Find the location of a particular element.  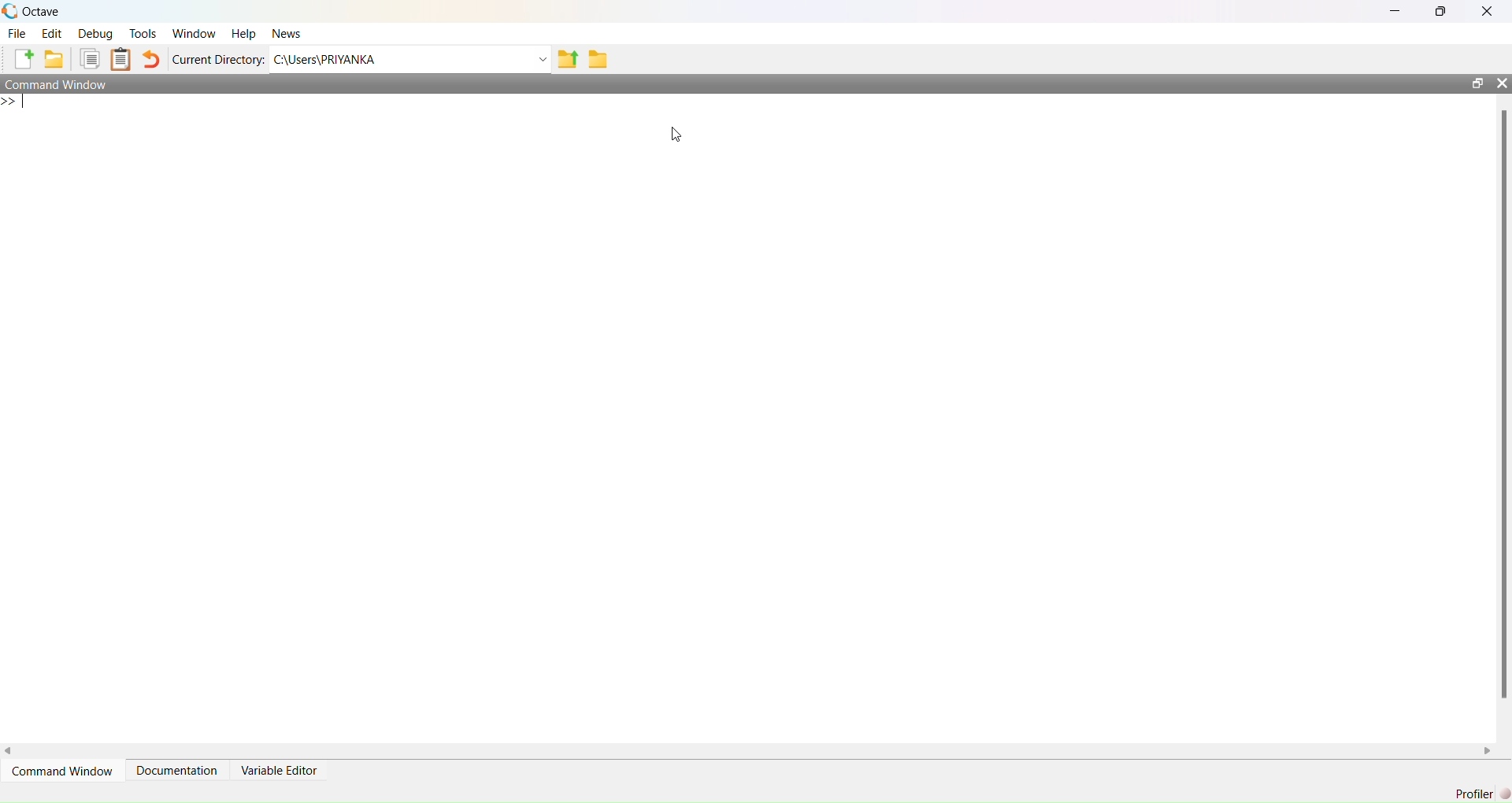

Profiler is located at coordinates (1482, 794).